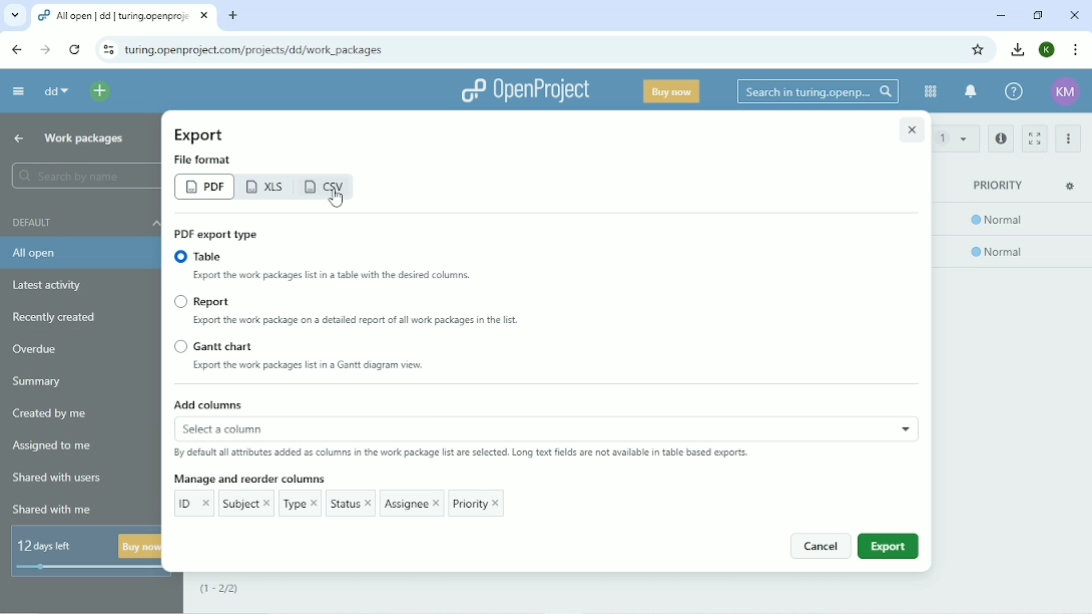 The height and width of the screenshot is (614, 1092). I want to click on Summary, so click(36, 382).